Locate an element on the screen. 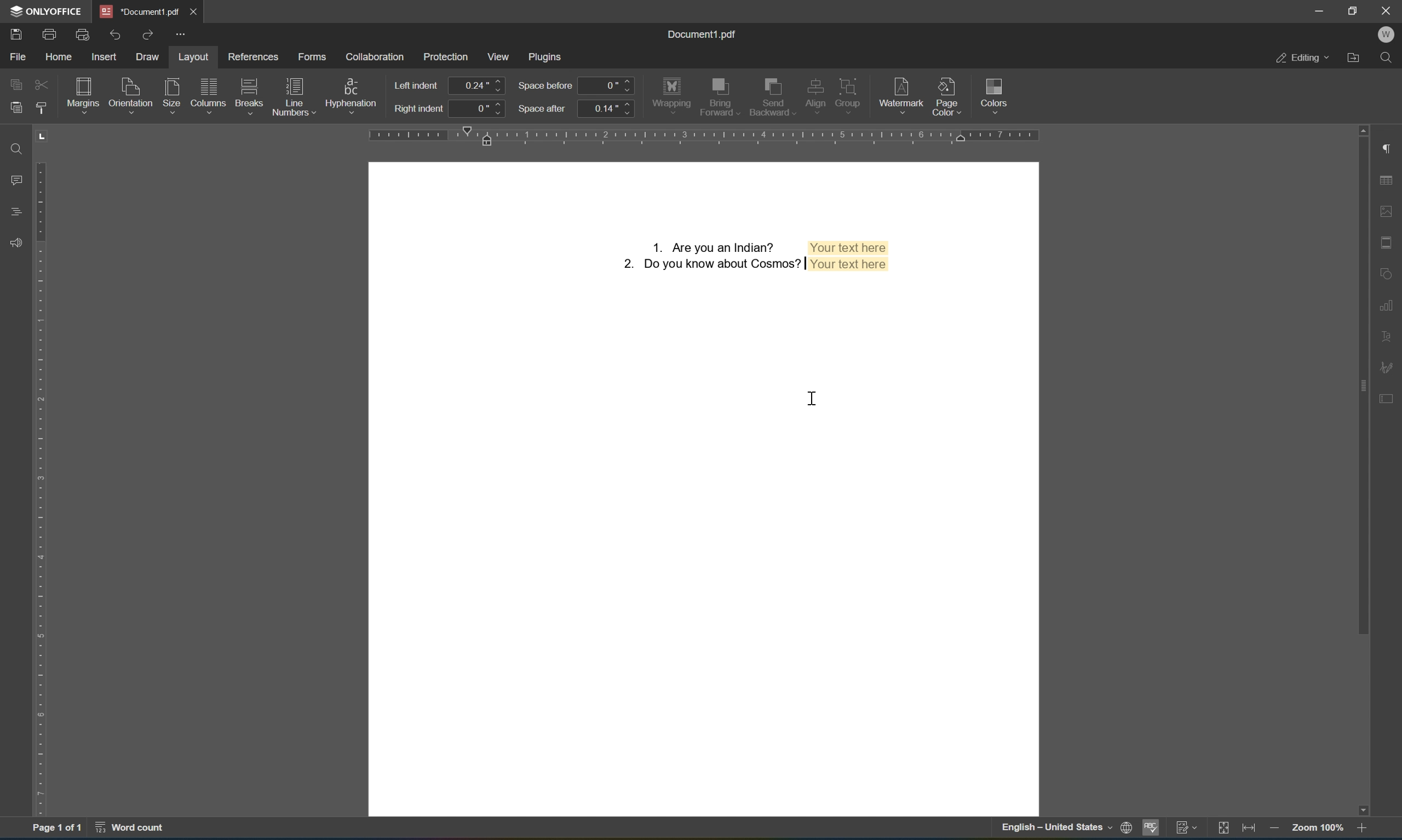 Image resolution: width=1402 pixels, height=840 pixels. 0.24 is located at coordinates (478, 85).